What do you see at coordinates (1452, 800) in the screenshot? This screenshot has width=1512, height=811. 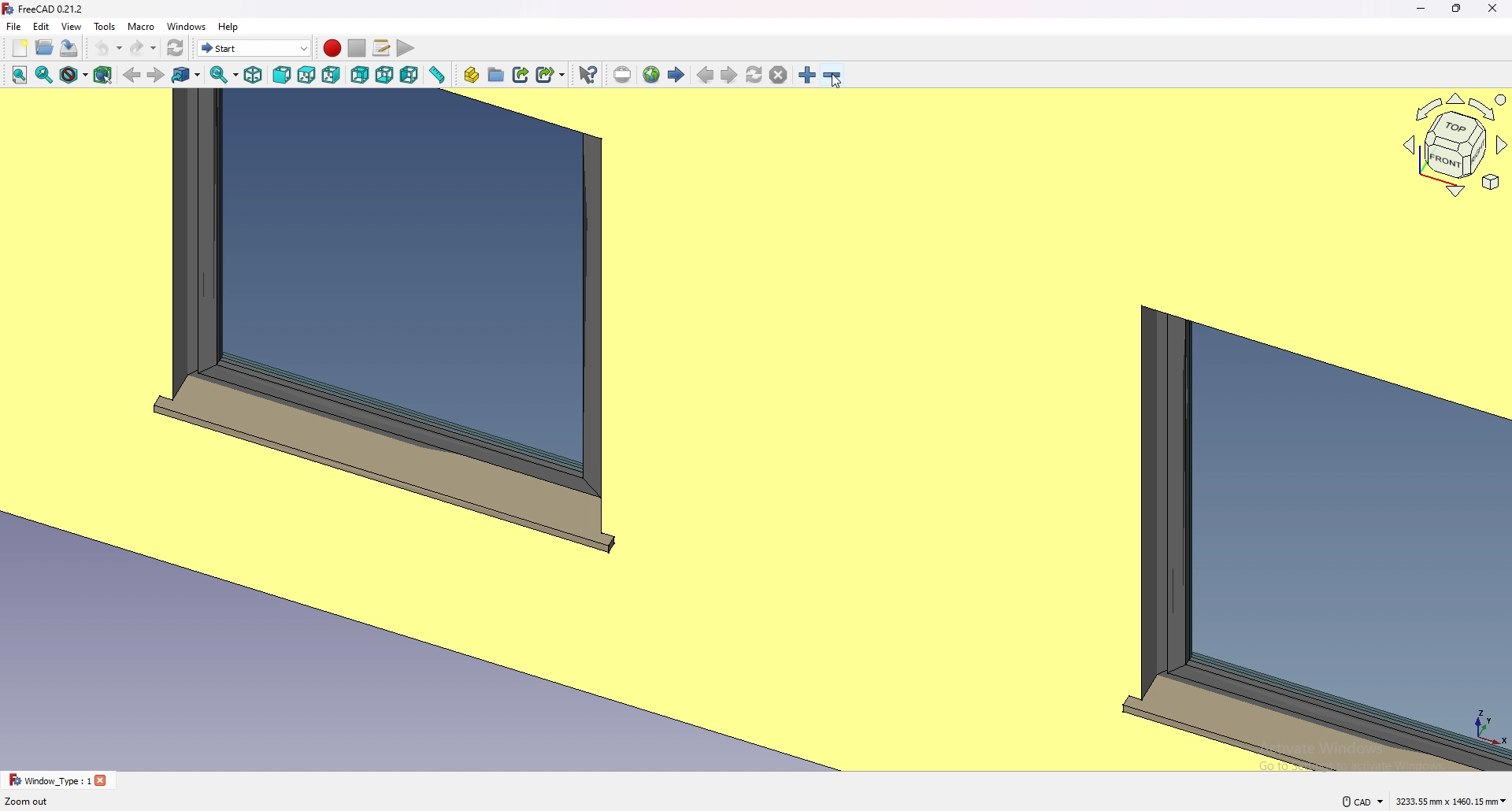 I see `dimensions` at bounding box center [1452, 800].